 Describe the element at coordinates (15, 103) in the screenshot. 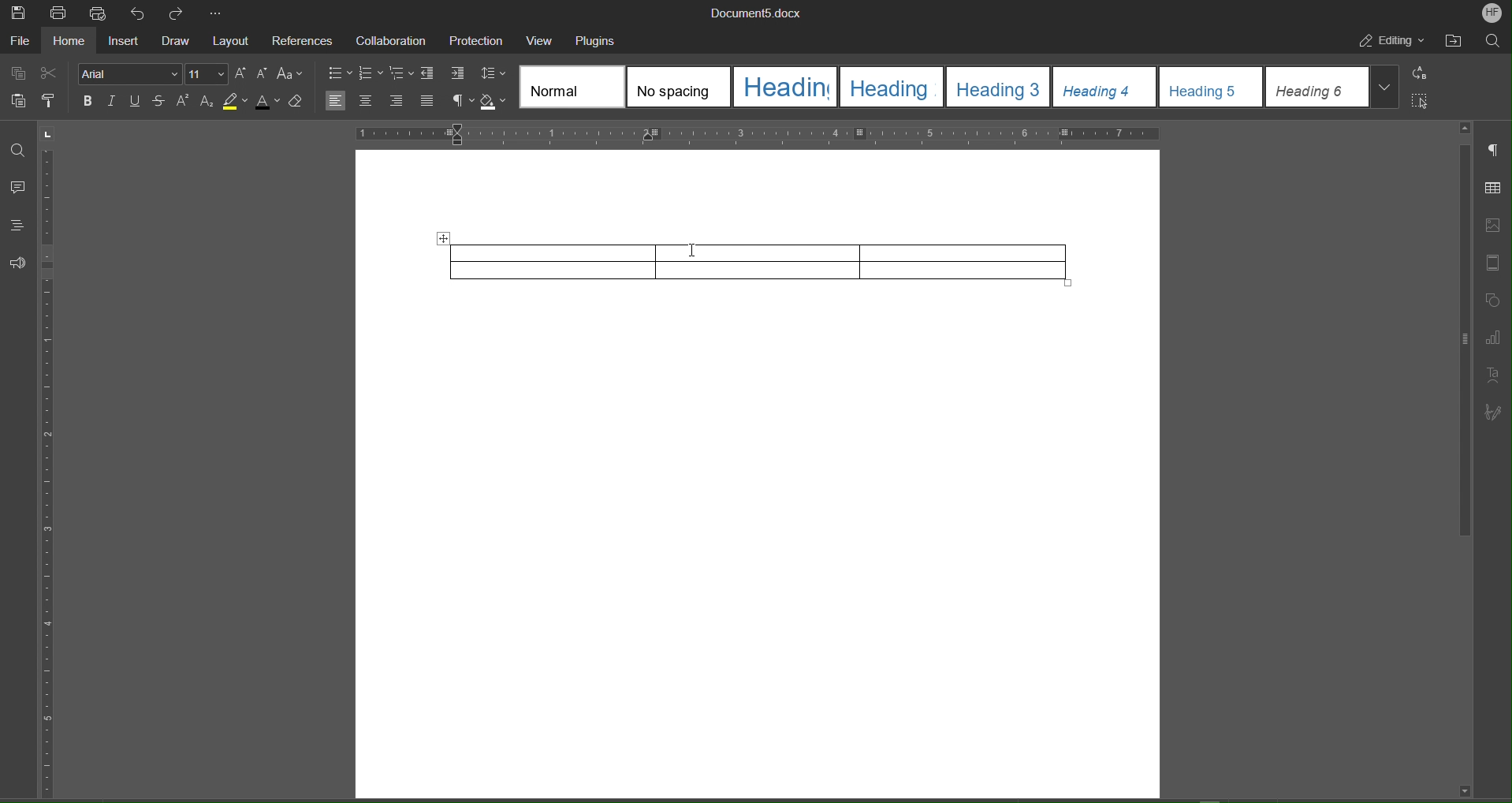

I see `Paste` at that location.